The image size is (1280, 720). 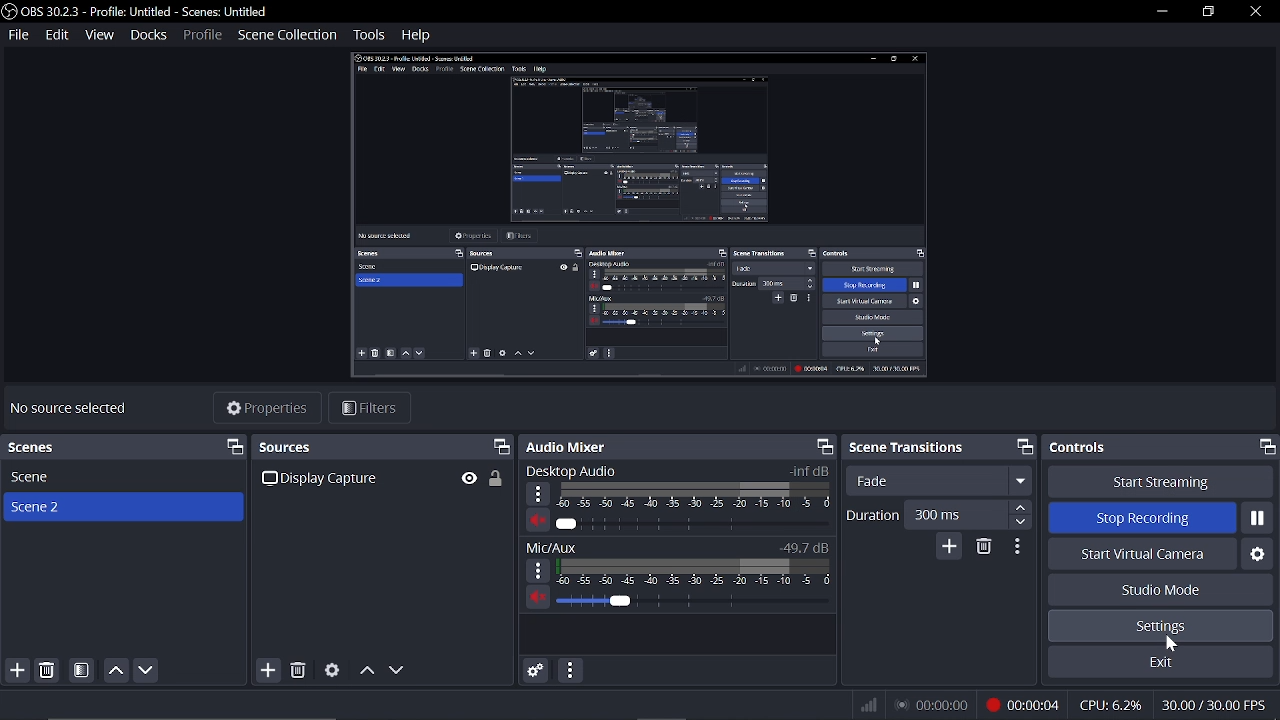 What do you see at coordinates (1158, 11) in the screenshot?
I see `minimize` at bounding box center [1158, 11].